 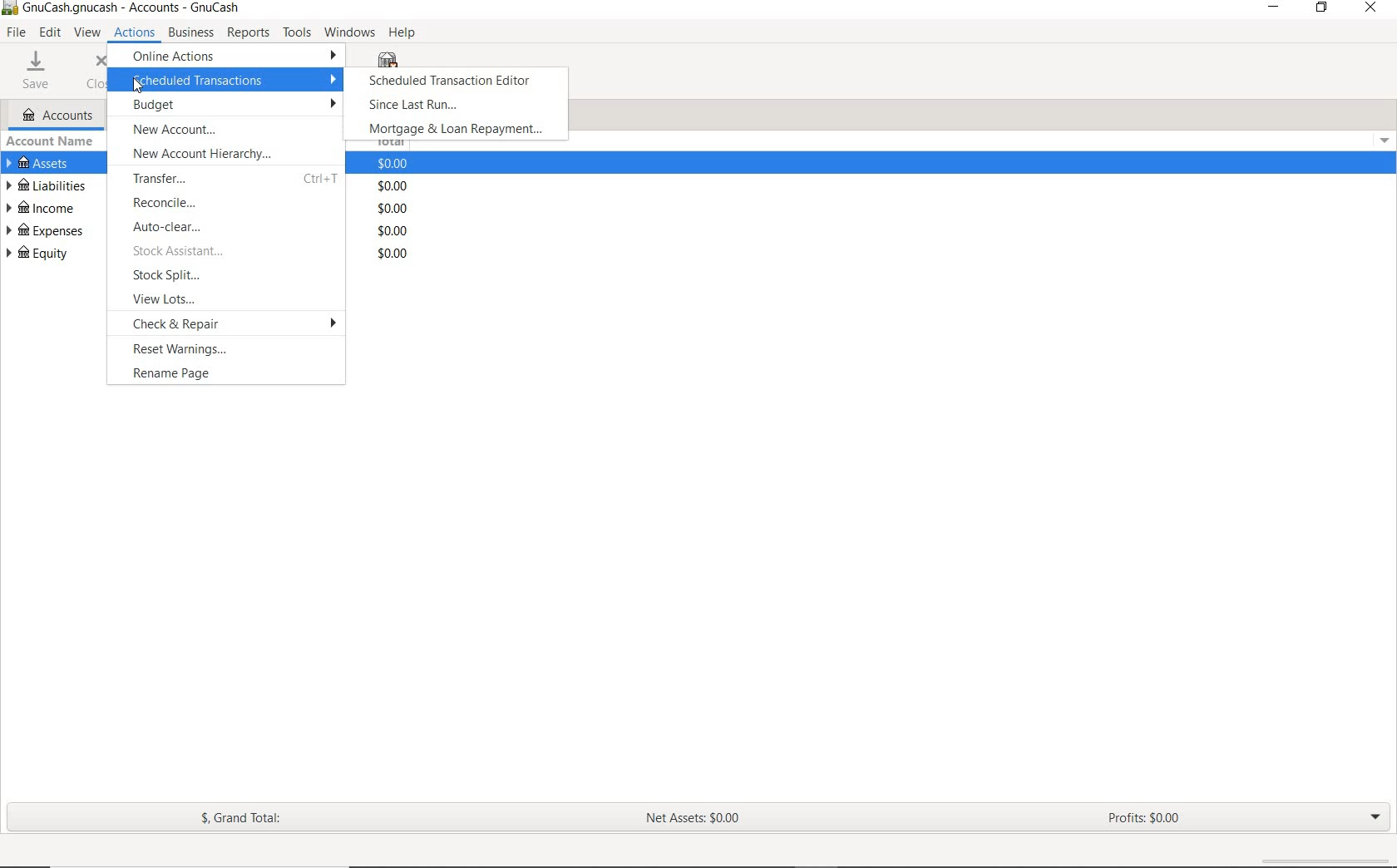 What do you see at coordinates (1275, 7) in the screenshot?
I see `MINIMIZE` at bounding box center [1275, 7].